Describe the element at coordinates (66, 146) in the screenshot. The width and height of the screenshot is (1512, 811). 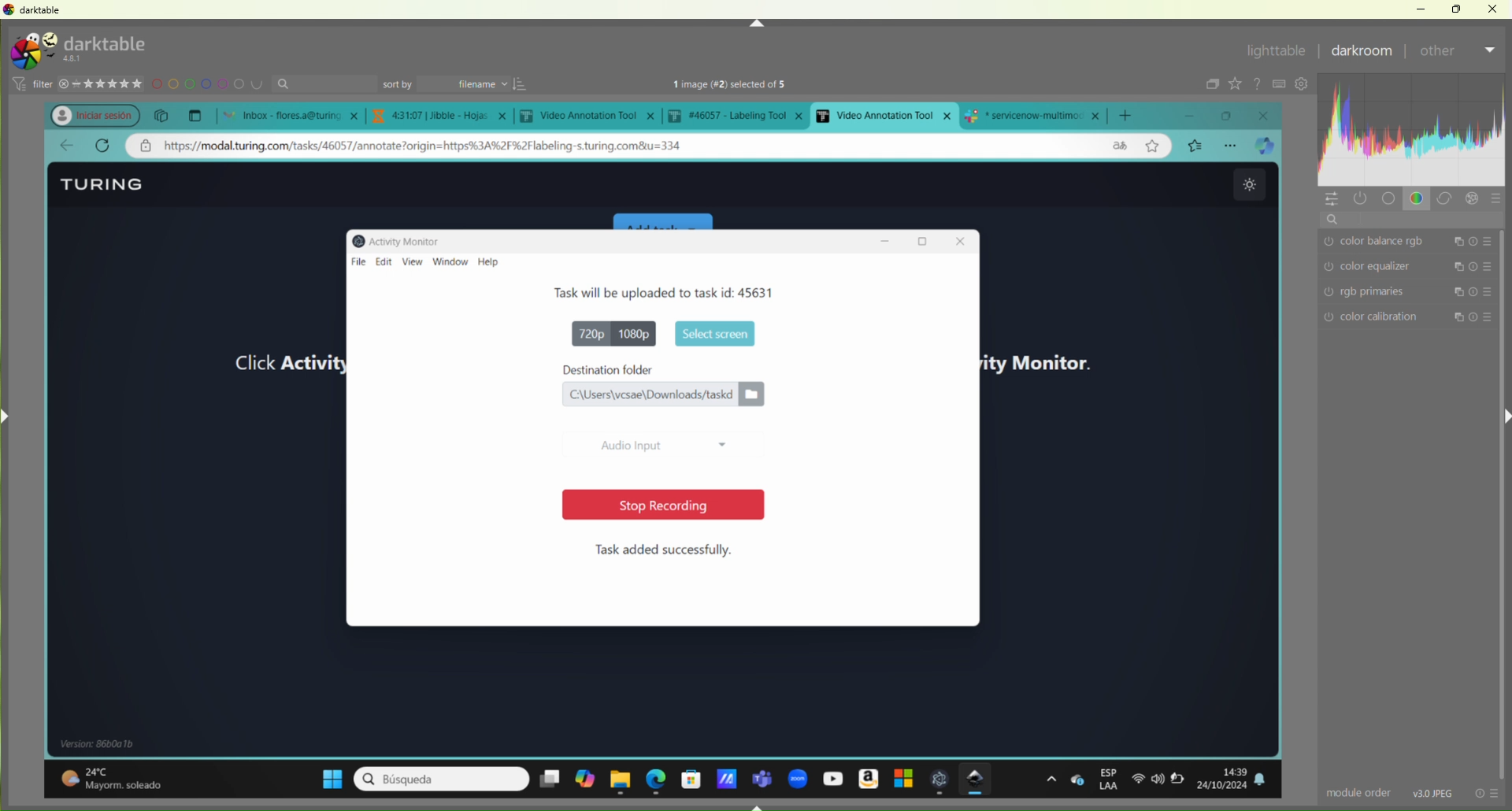
I see `go back` at that location.